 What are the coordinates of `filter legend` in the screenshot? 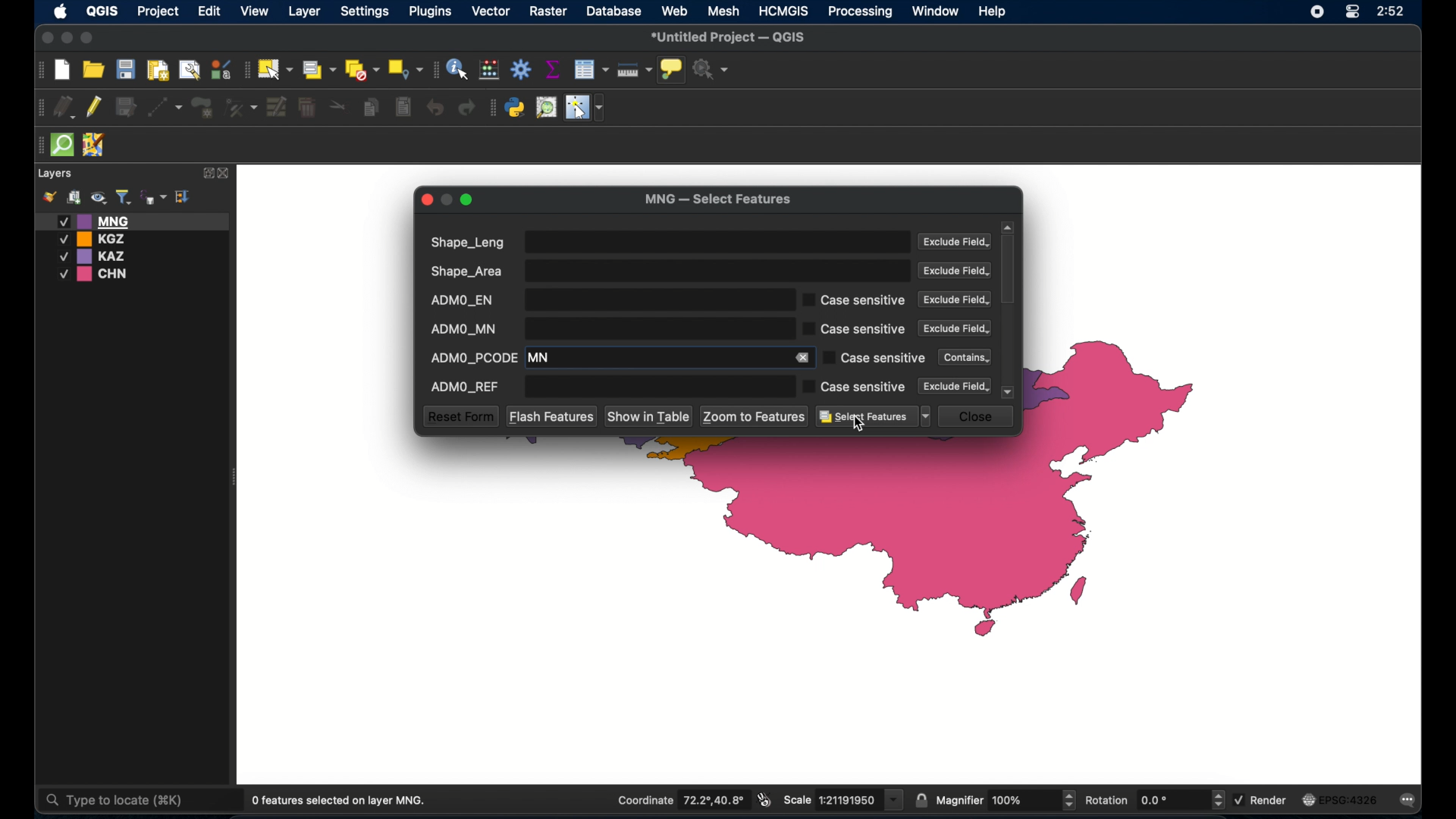 It's located at (123, 197).